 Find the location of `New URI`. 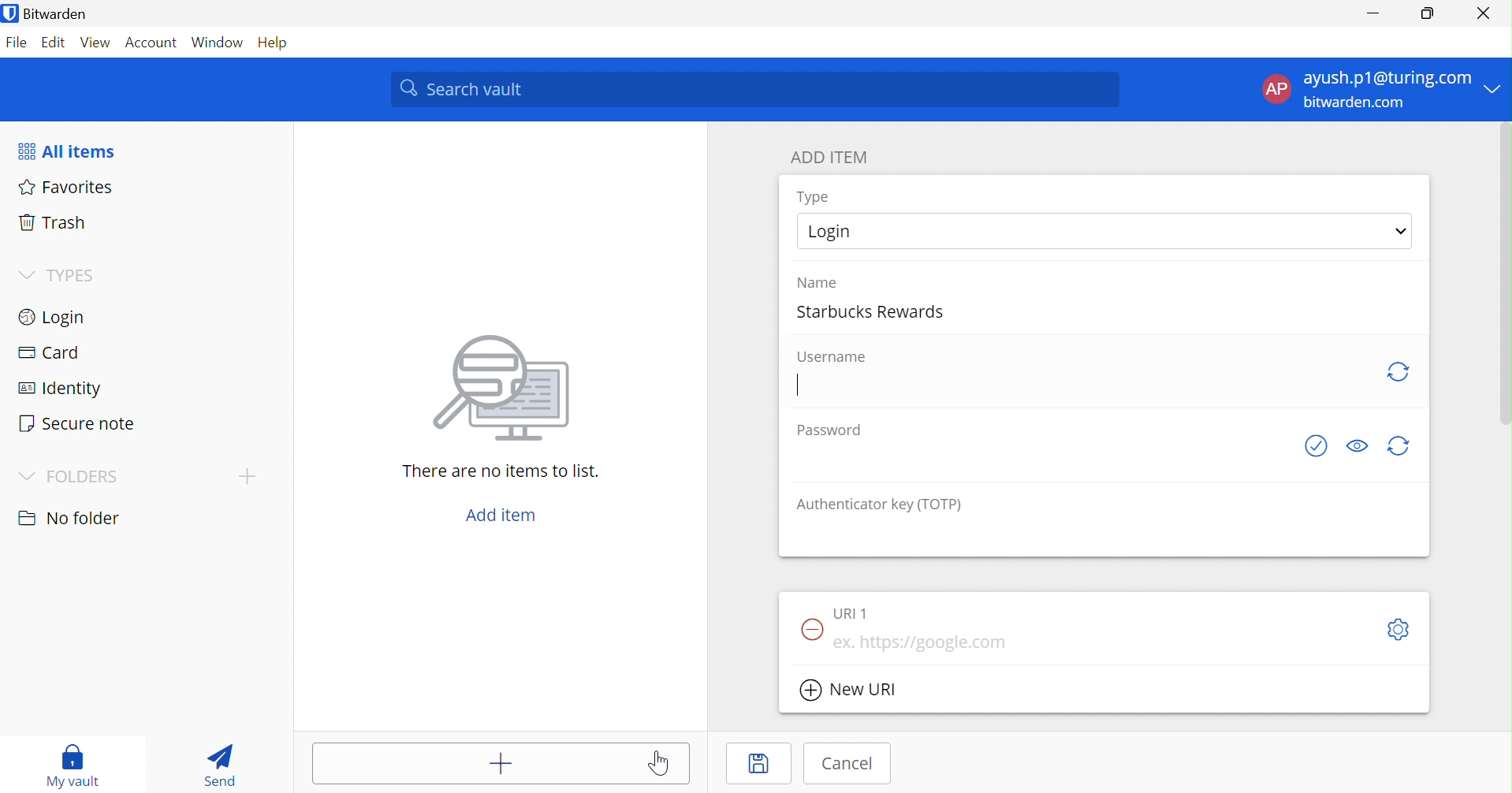

New URI is located at coordinates (849, 692).